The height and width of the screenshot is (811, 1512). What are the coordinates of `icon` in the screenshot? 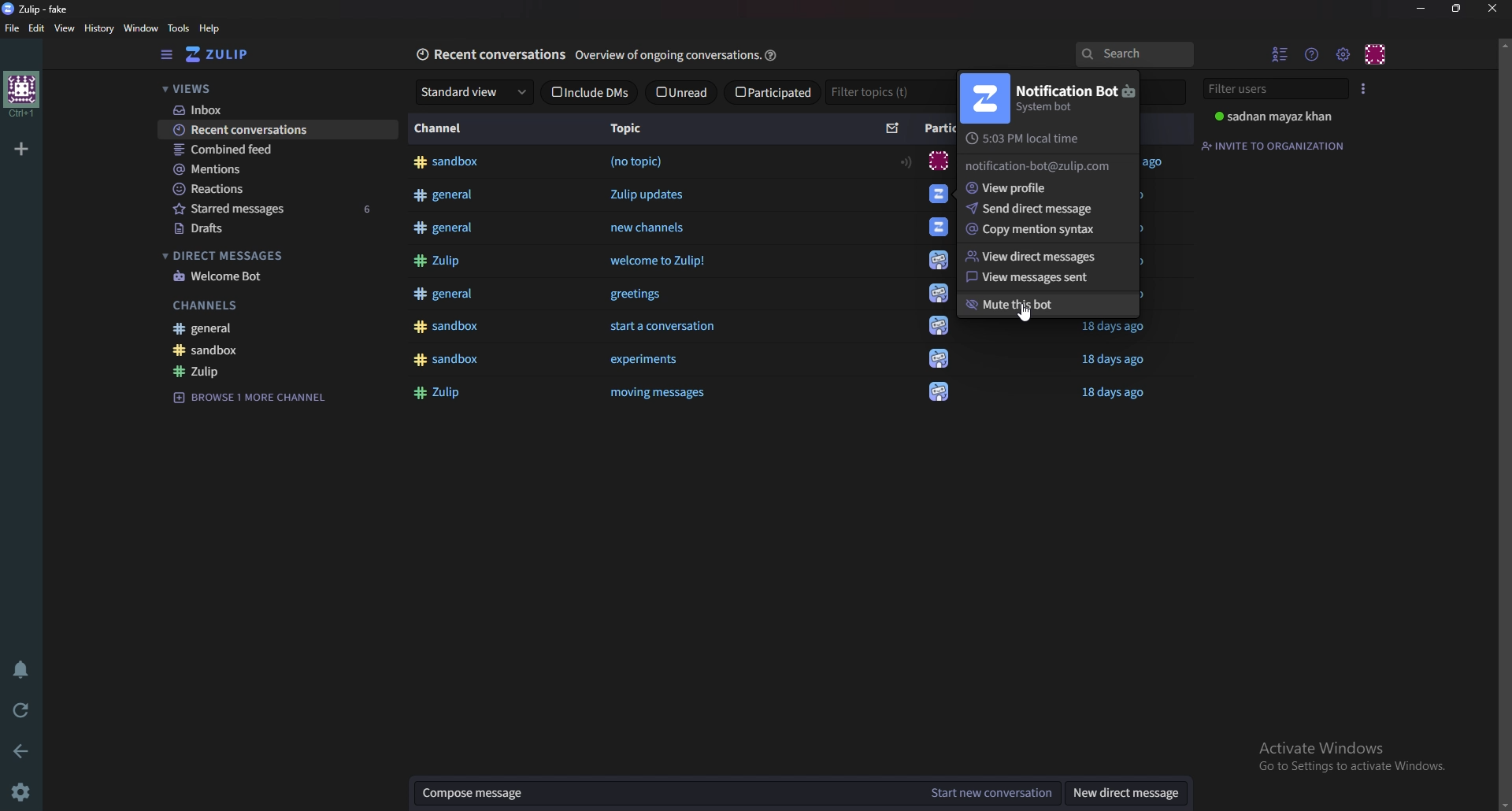 It's located at (938, 263).